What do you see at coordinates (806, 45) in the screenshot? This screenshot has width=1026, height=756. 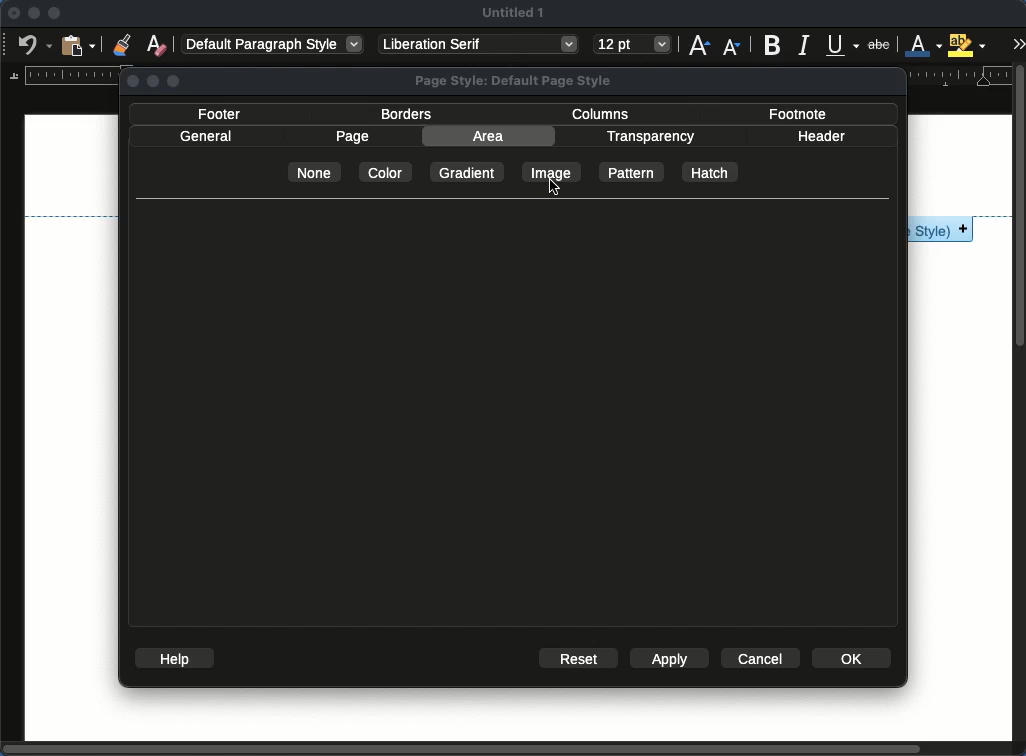 I see `italics` at bounding box center [806, 45].